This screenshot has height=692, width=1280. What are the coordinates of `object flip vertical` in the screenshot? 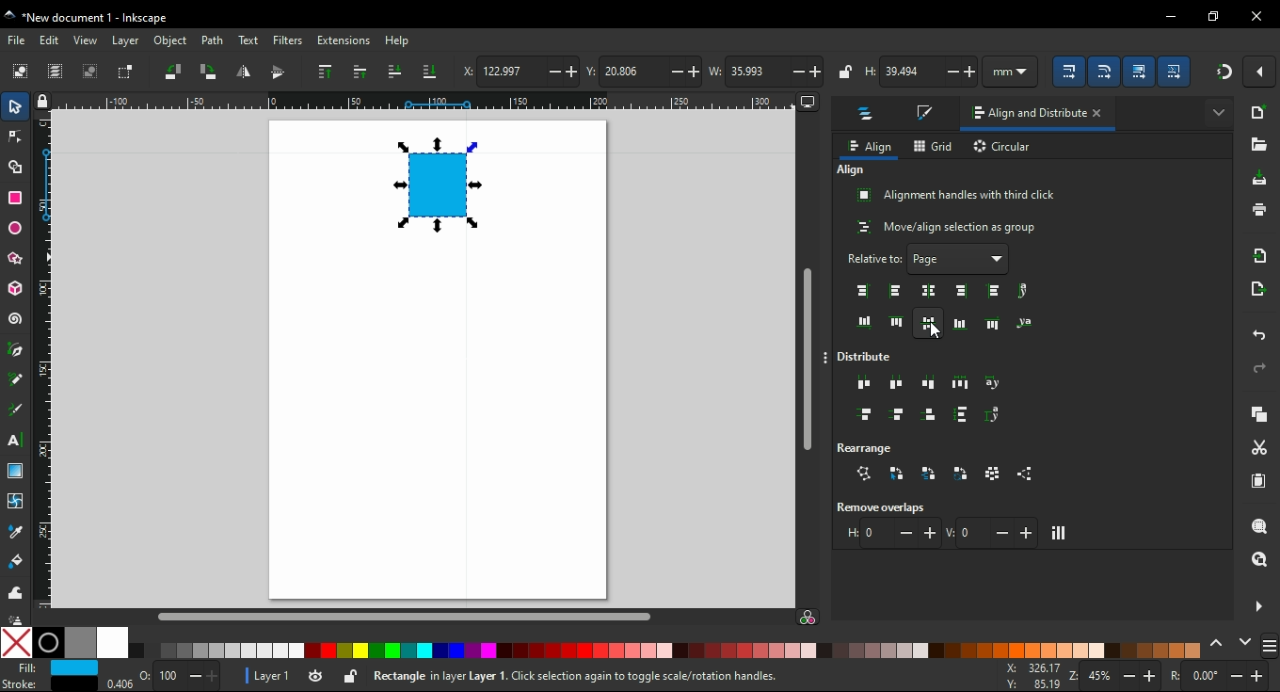 It's located at (278, 73).